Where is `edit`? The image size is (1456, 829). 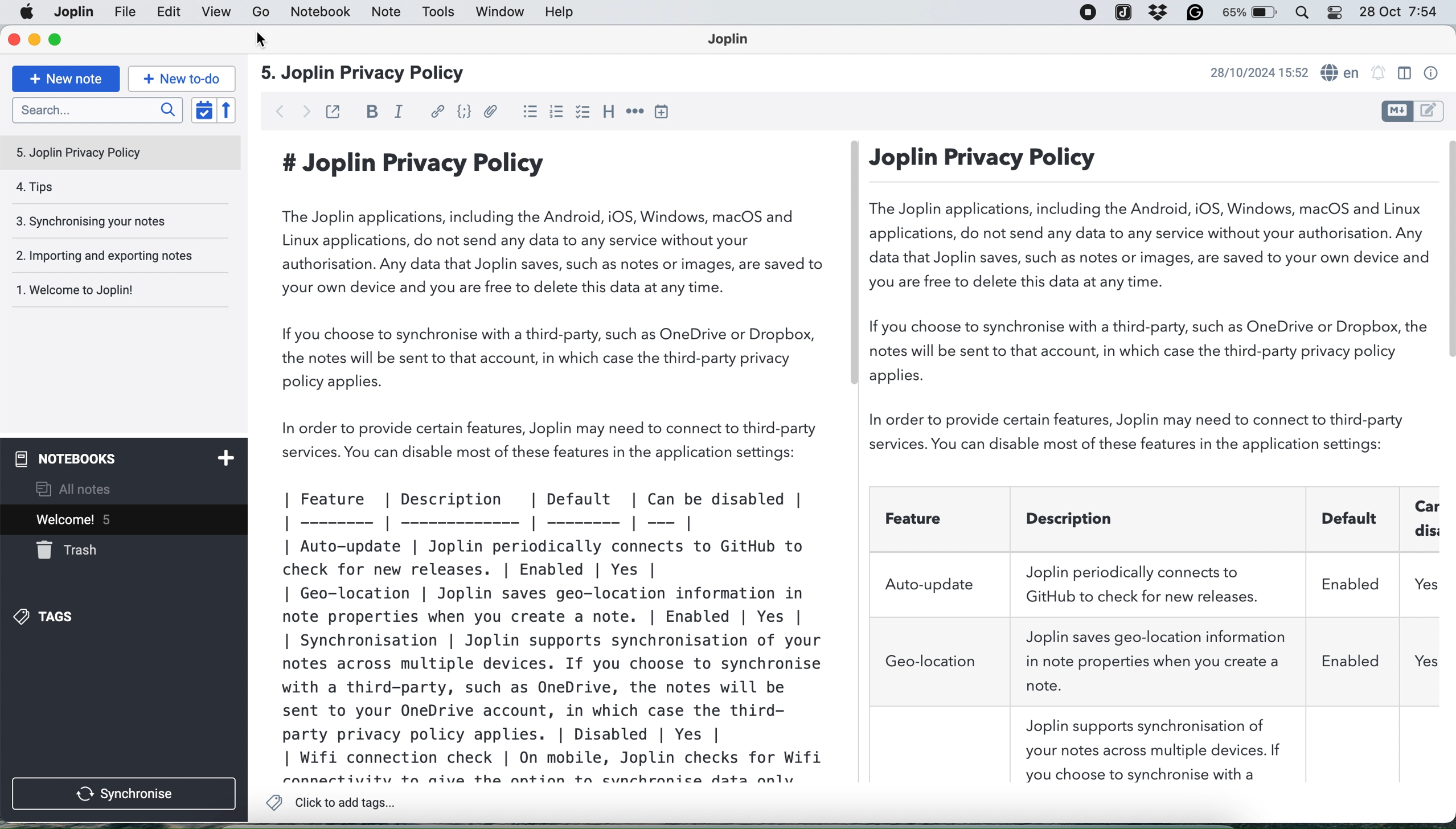
edit is located at coordinates (169, 13).